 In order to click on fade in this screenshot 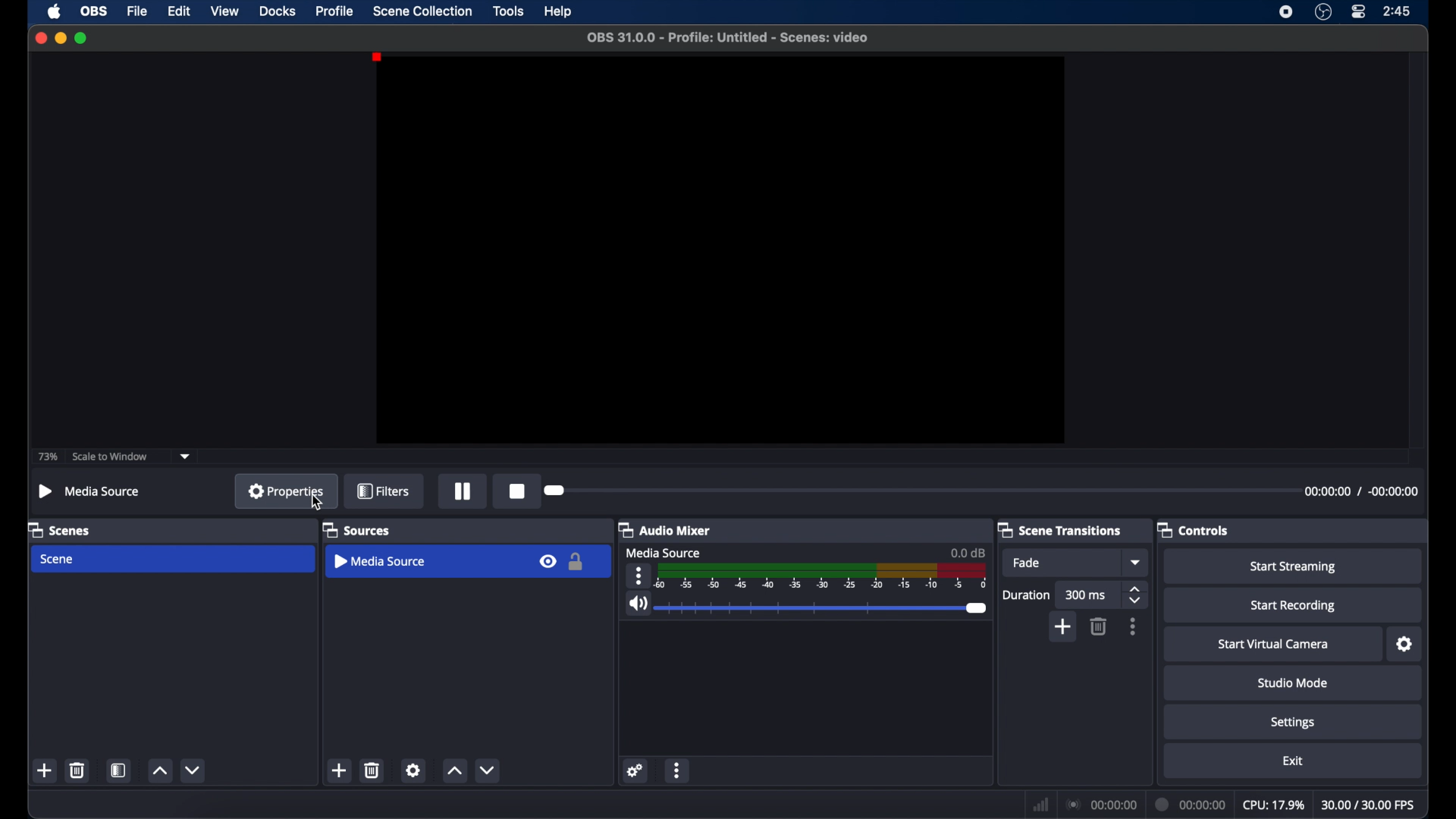, I will do `click(1028, 563)`.